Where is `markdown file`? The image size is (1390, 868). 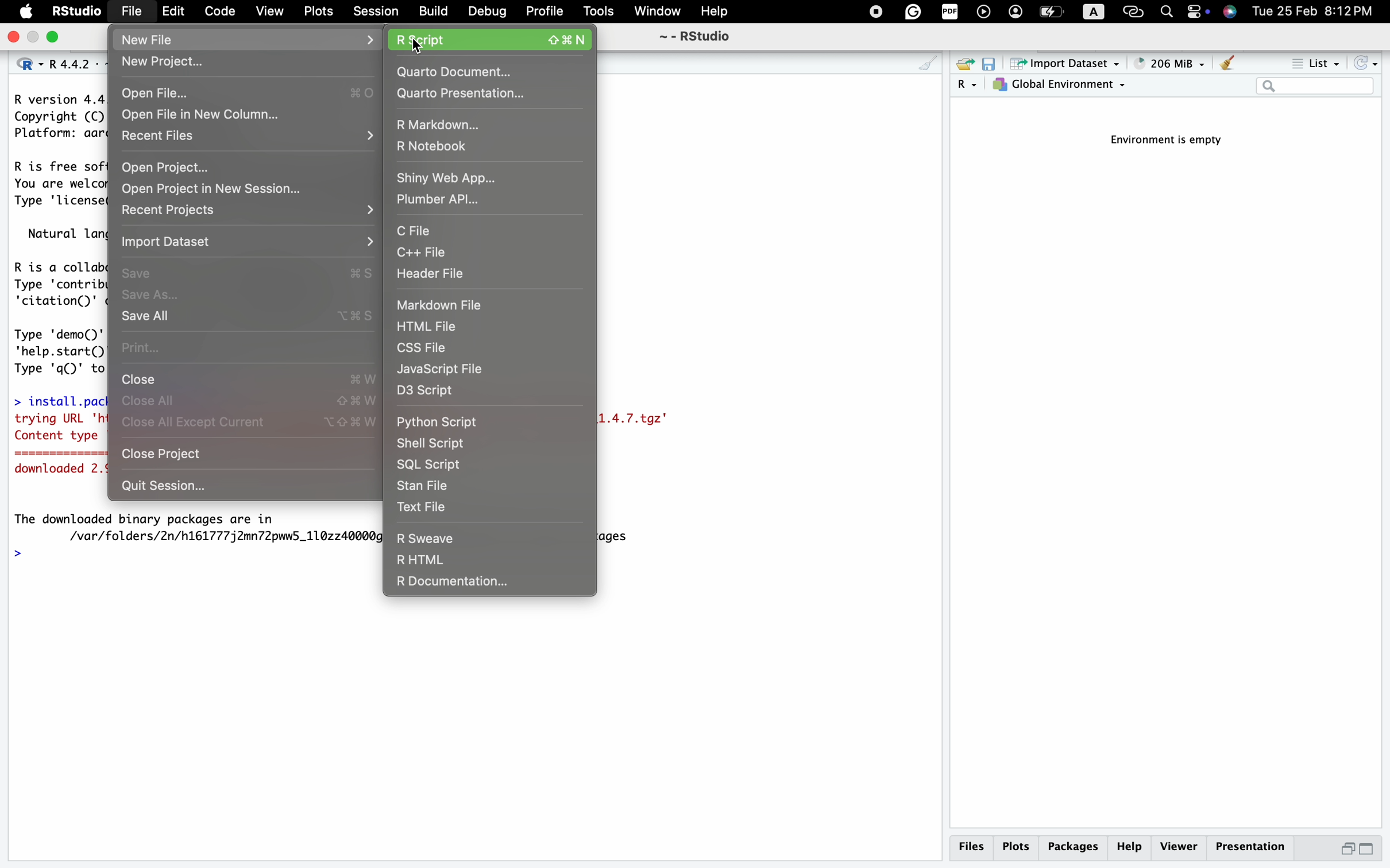 markdown file is located at coordinates (464, 304).